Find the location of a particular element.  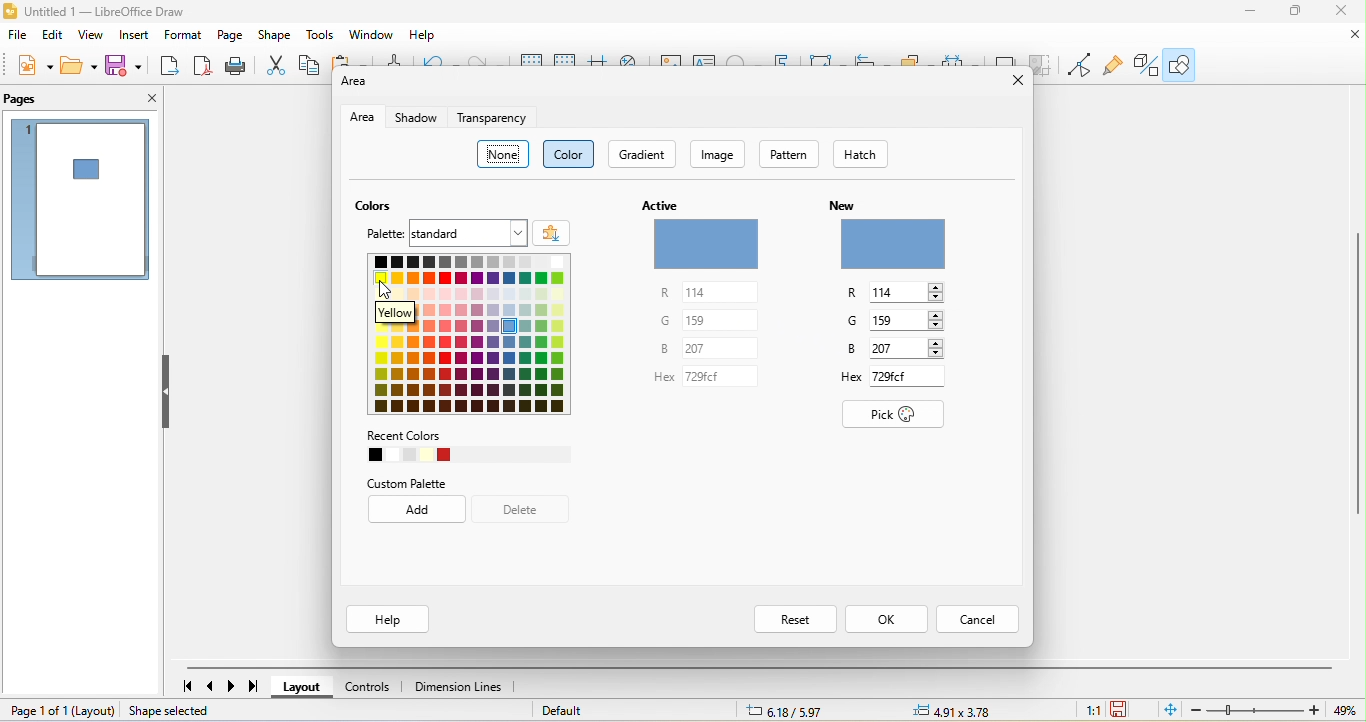

close is located at coordinates (1015, 81).